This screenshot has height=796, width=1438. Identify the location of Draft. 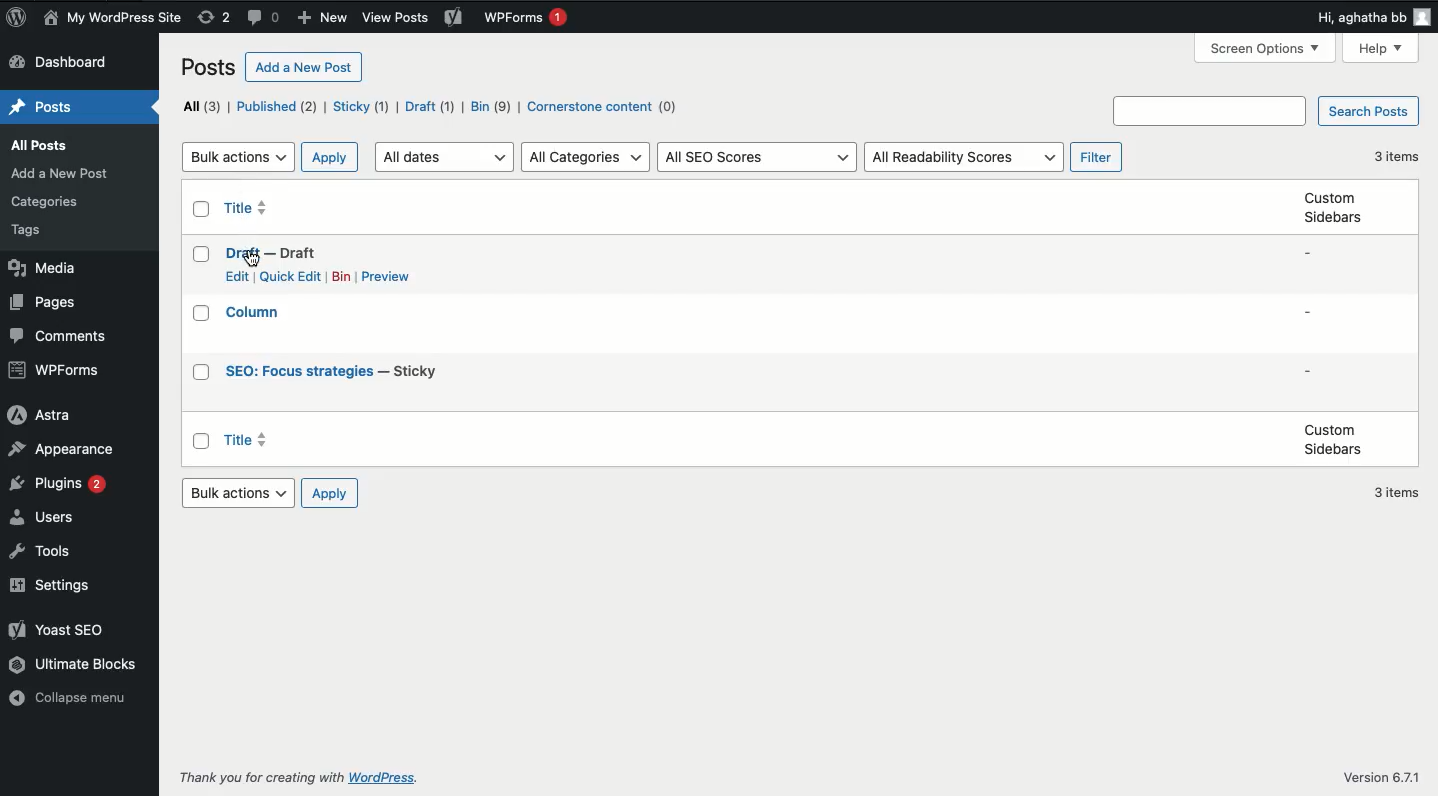
(430, 107).